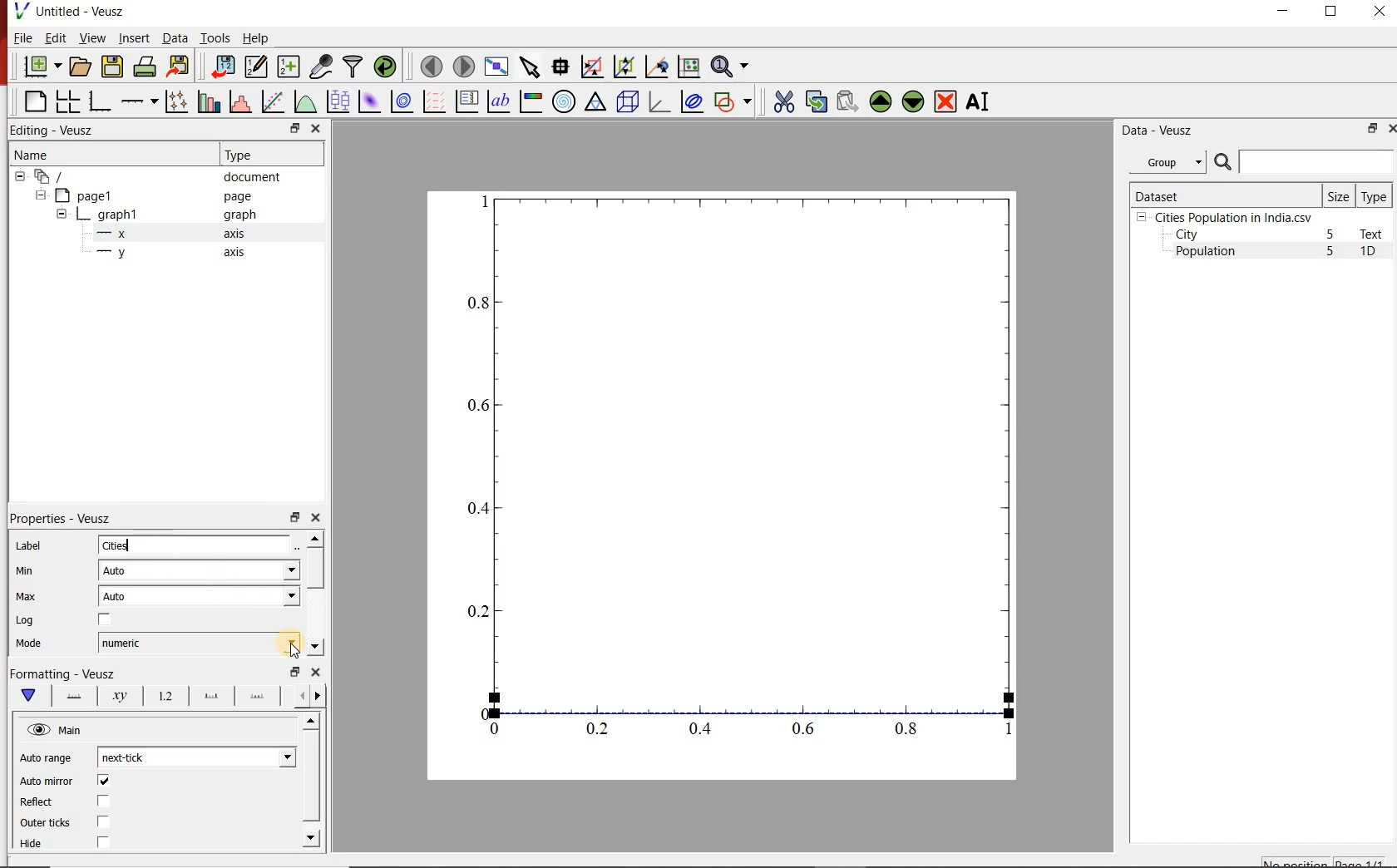  Describe the element at coordinates (32, 696) in the screenshot. I see `Main formatting` at that location.